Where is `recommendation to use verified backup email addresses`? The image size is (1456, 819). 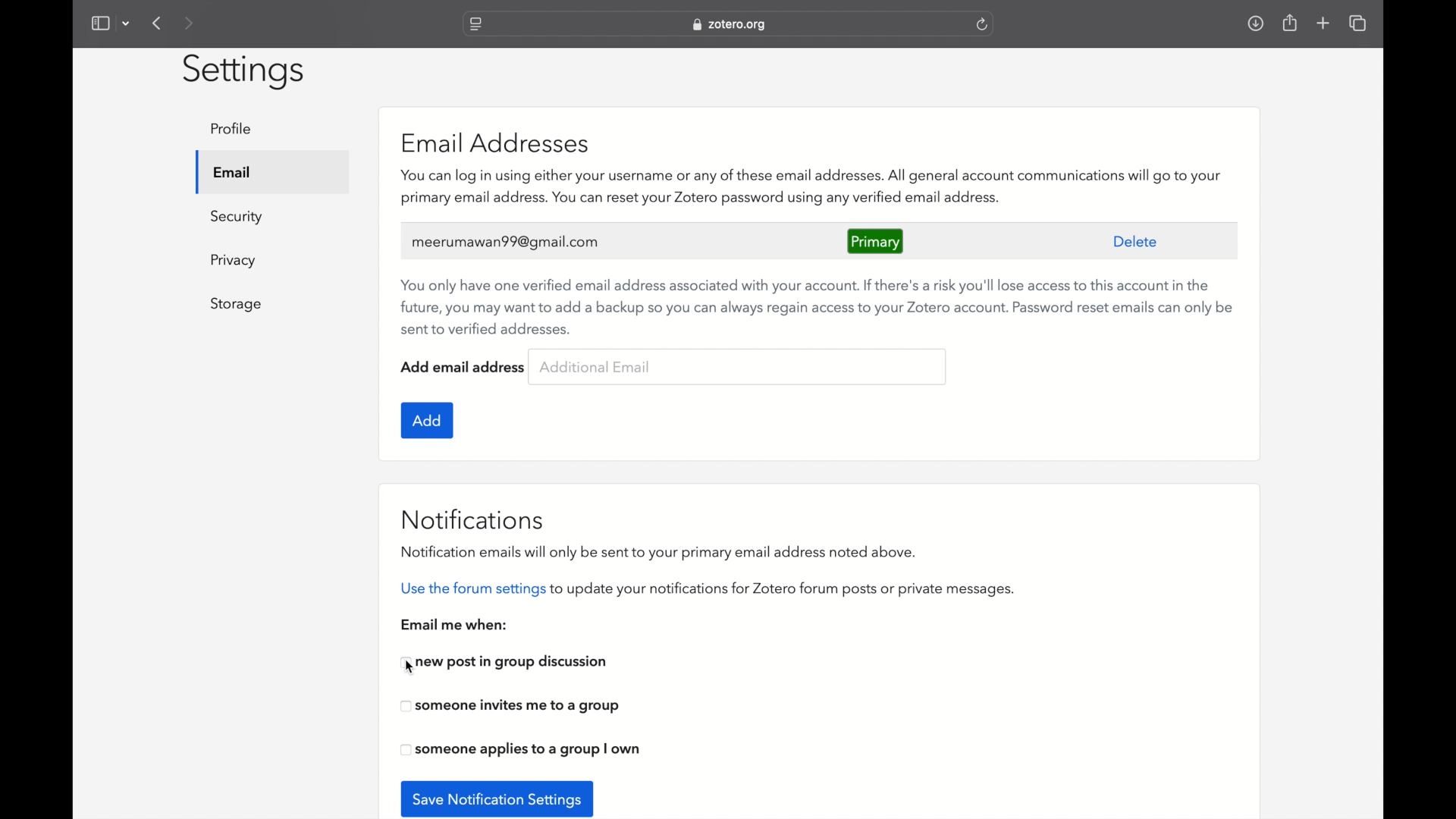
recommendation to use verified backup email addresses is located at coordinates (817, 309).